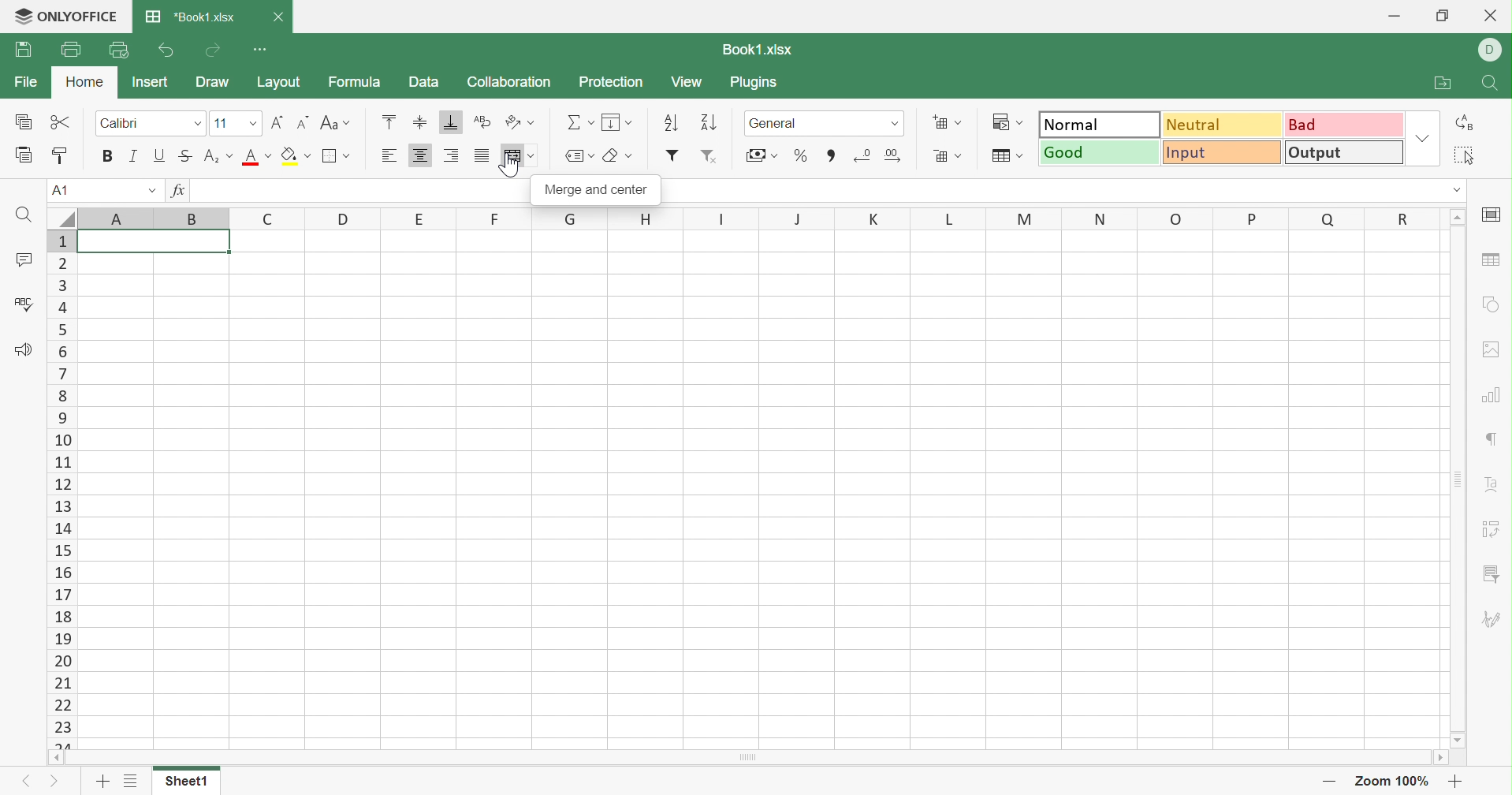  Describe the element at coordinates (483, 122) in the screenshot. I see `Wrap Text` at that location.